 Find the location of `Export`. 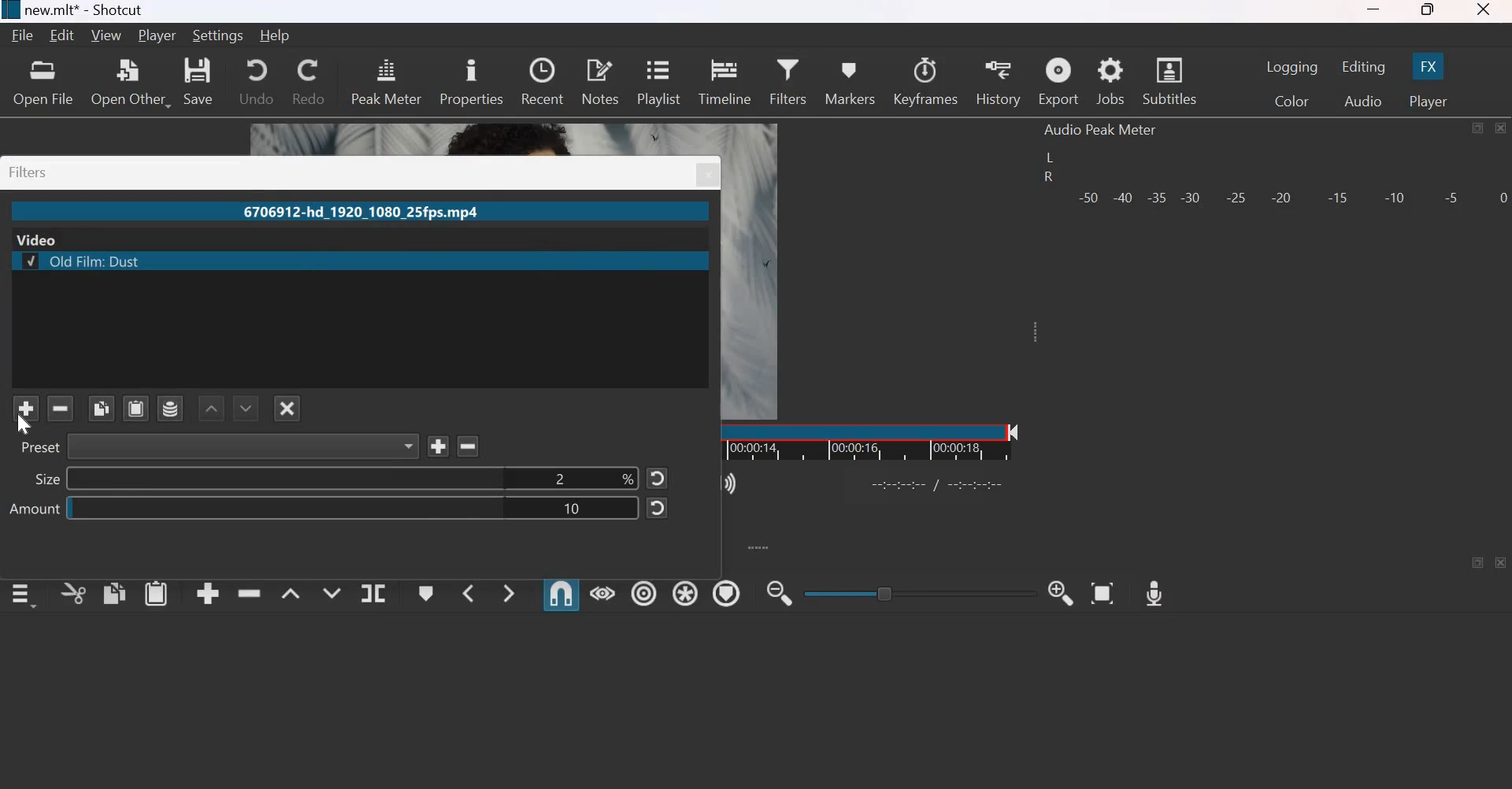

Export is located at coordinates (1058, 81).